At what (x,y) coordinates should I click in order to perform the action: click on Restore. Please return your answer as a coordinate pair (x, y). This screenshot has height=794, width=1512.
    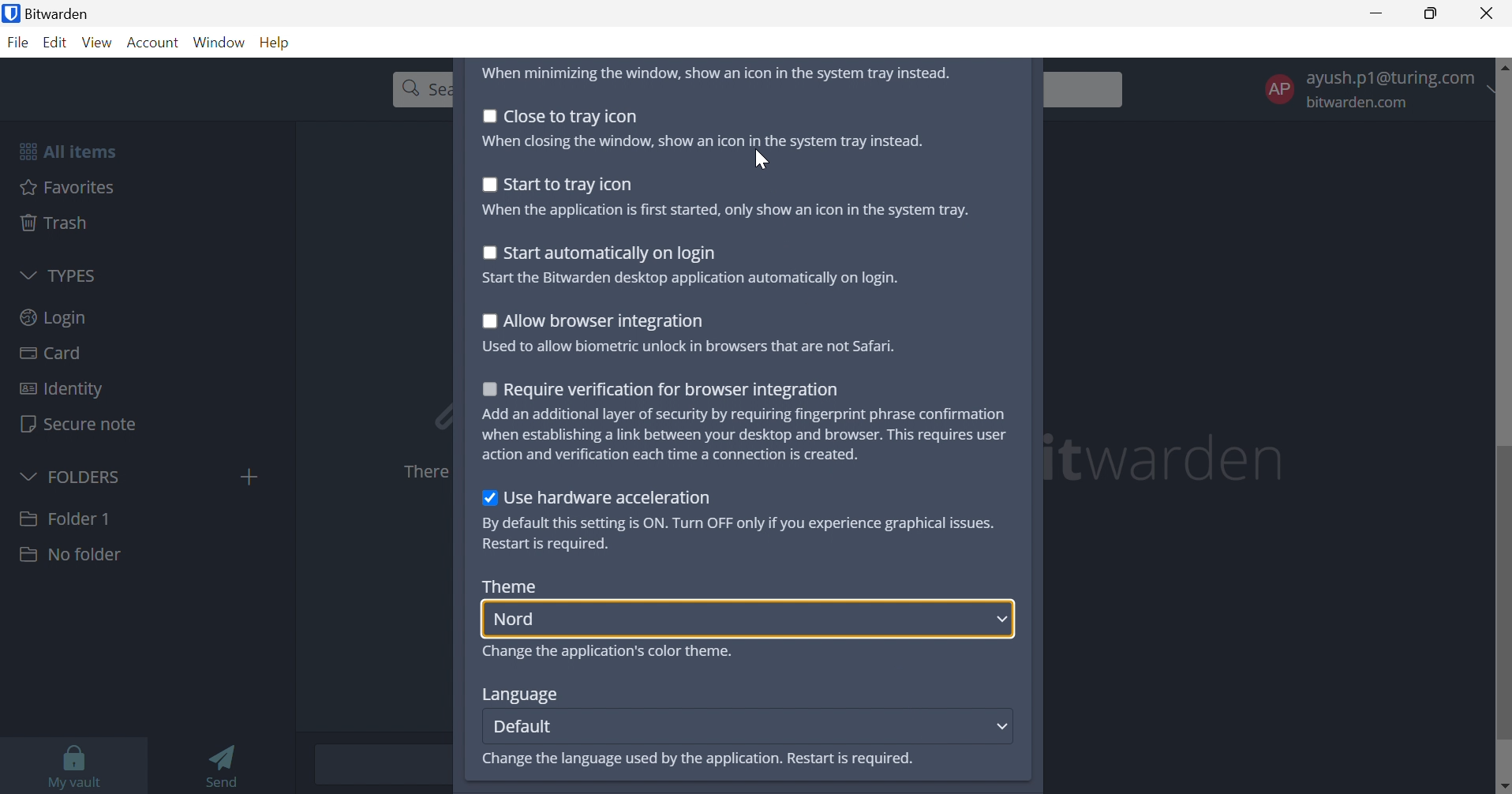
    Looking at the image, I should click on (1432, 14).